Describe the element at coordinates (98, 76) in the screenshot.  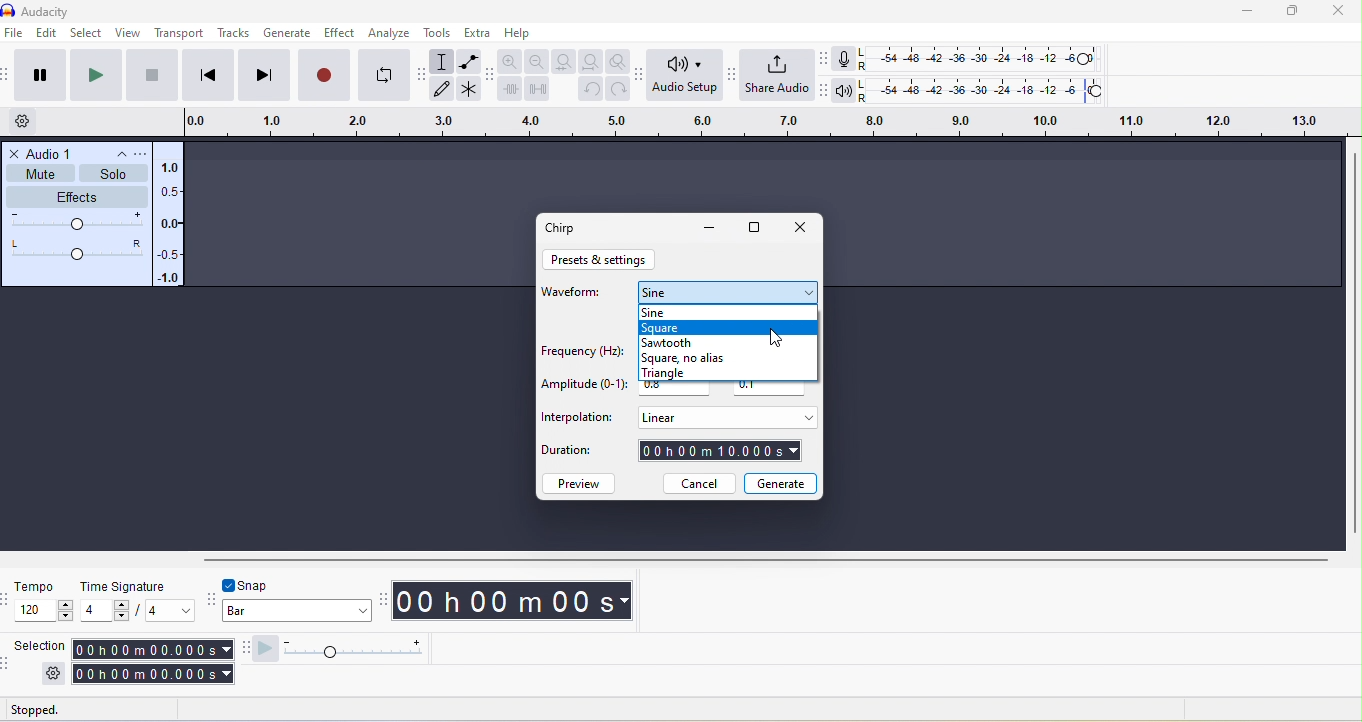
I see `play` at that location.